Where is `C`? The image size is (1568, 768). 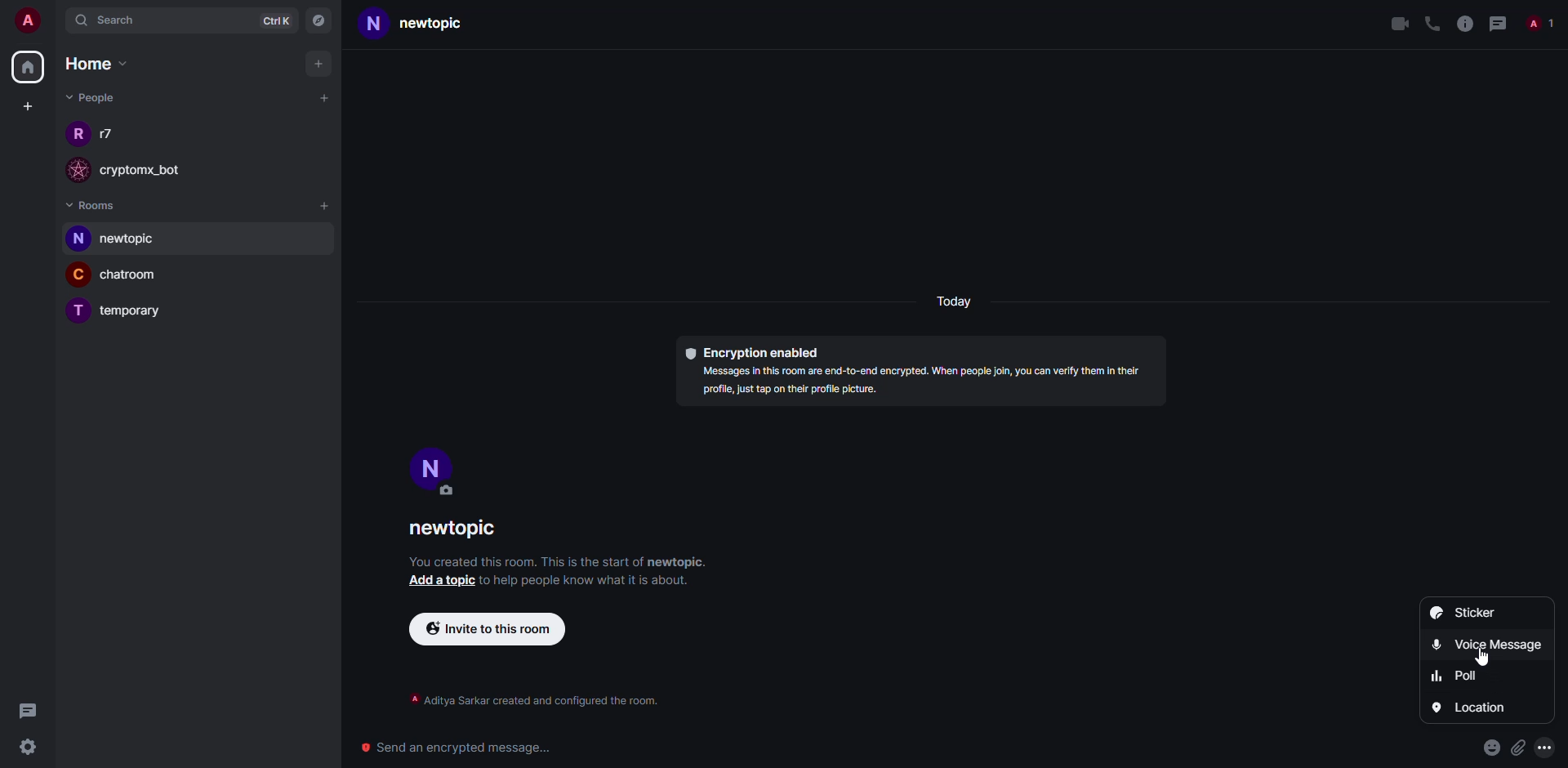
C is located at coordinates (78, 276).